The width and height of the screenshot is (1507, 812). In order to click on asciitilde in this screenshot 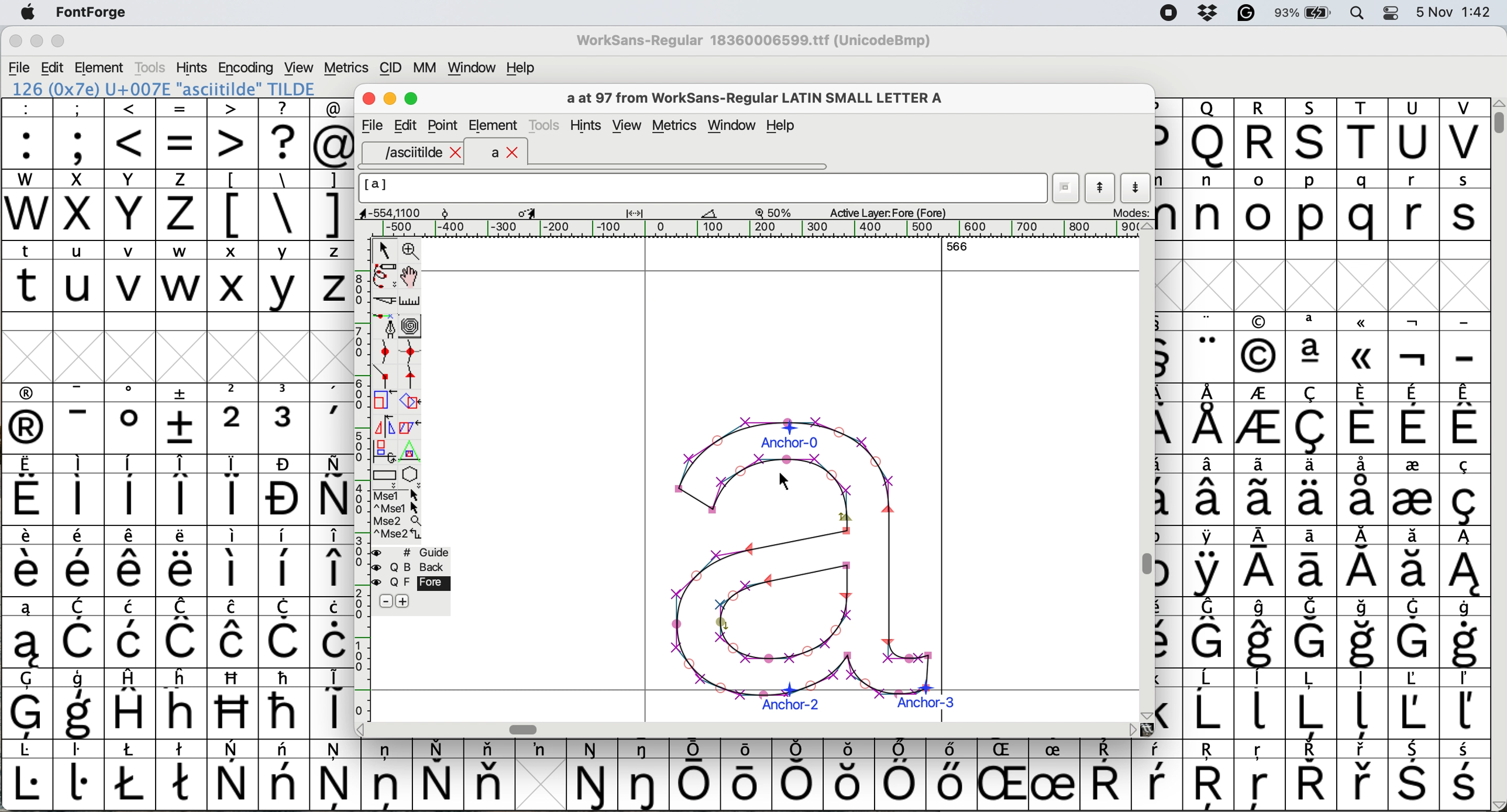, I will do `click(421, 153)`.